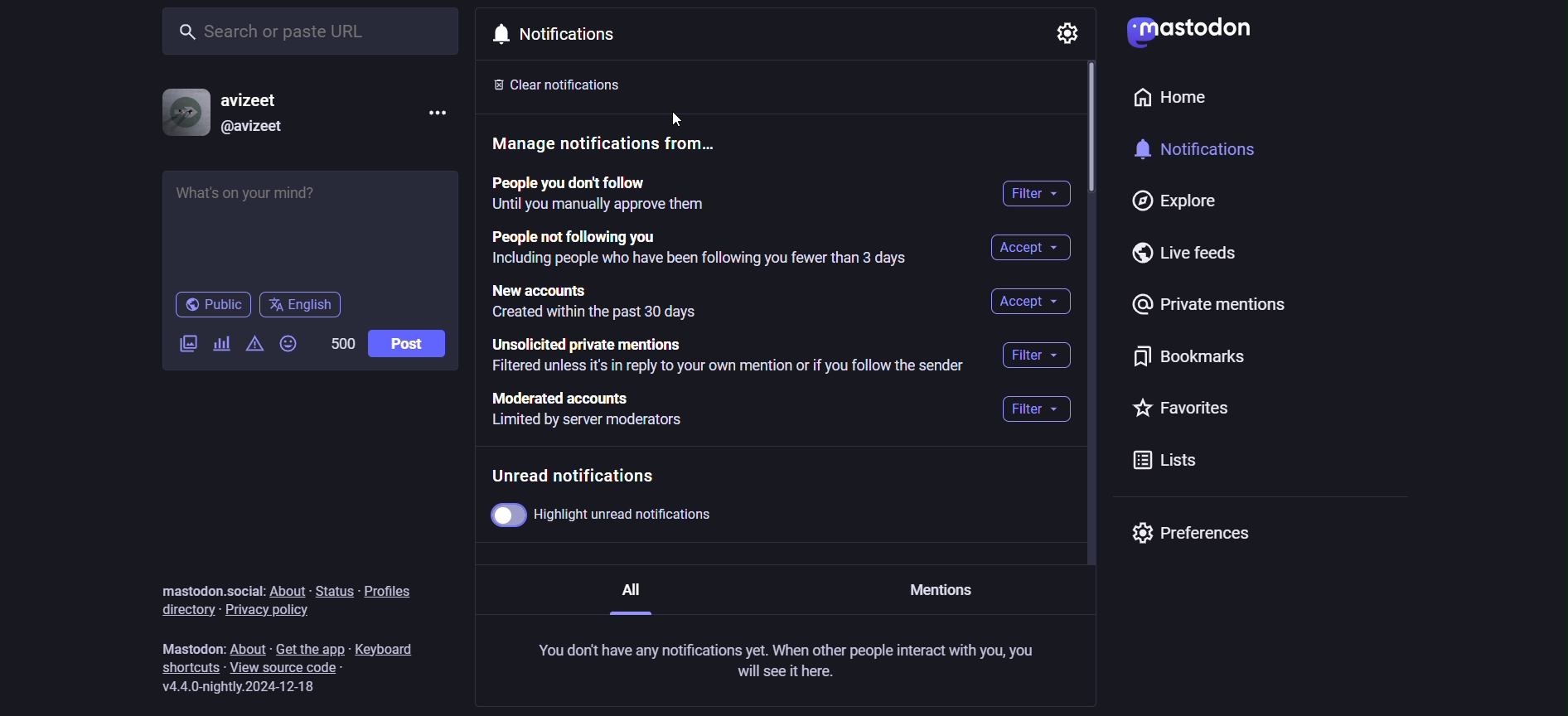 The width and height of the screenshot is (1568, 716). I want to click on emojis, so click(290, 346).